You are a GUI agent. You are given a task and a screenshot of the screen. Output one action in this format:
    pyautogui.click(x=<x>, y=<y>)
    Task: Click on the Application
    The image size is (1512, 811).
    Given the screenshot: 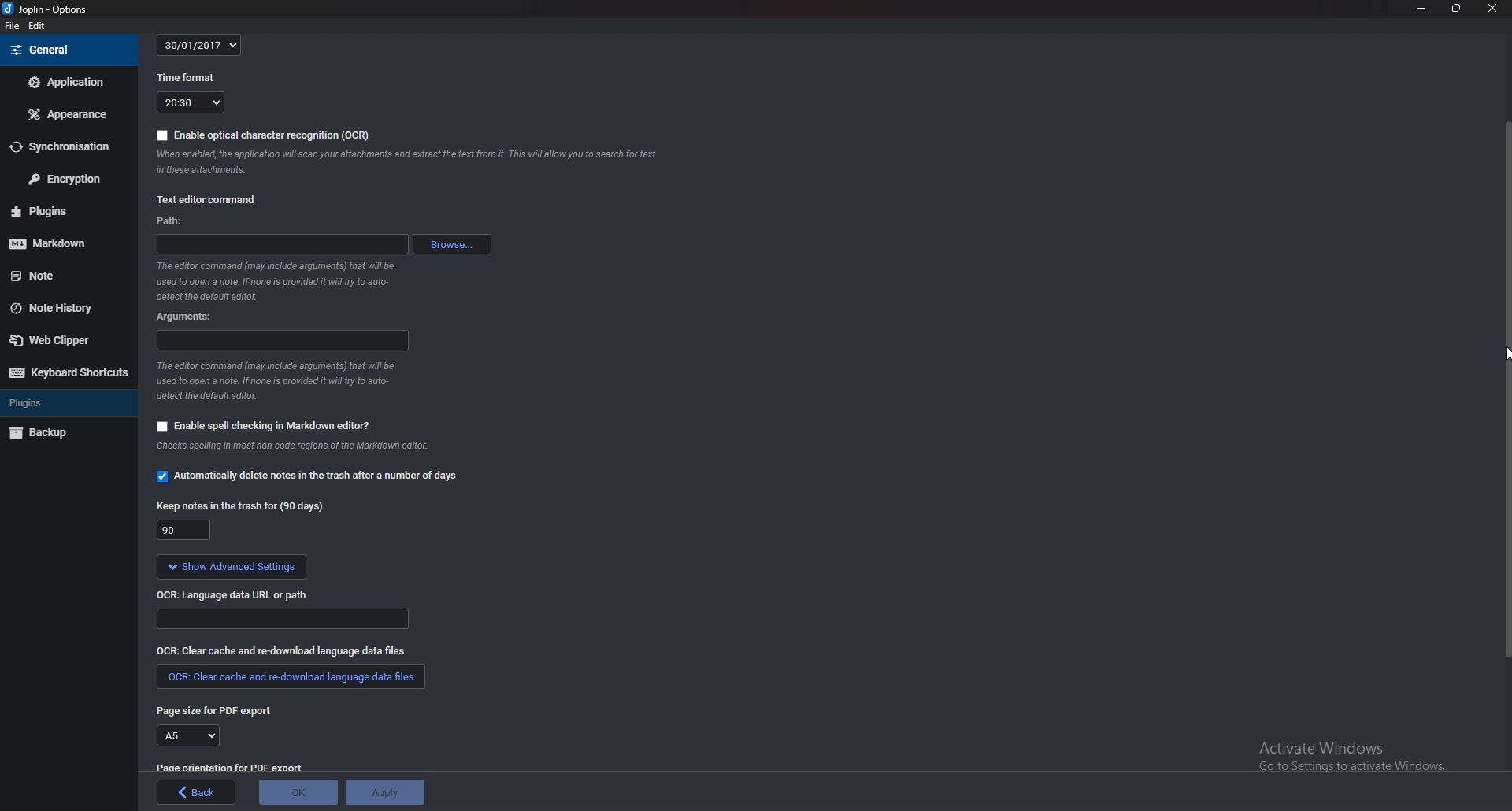 What is the action you would take?
    pyautogui.click(x=67, y=83)
    